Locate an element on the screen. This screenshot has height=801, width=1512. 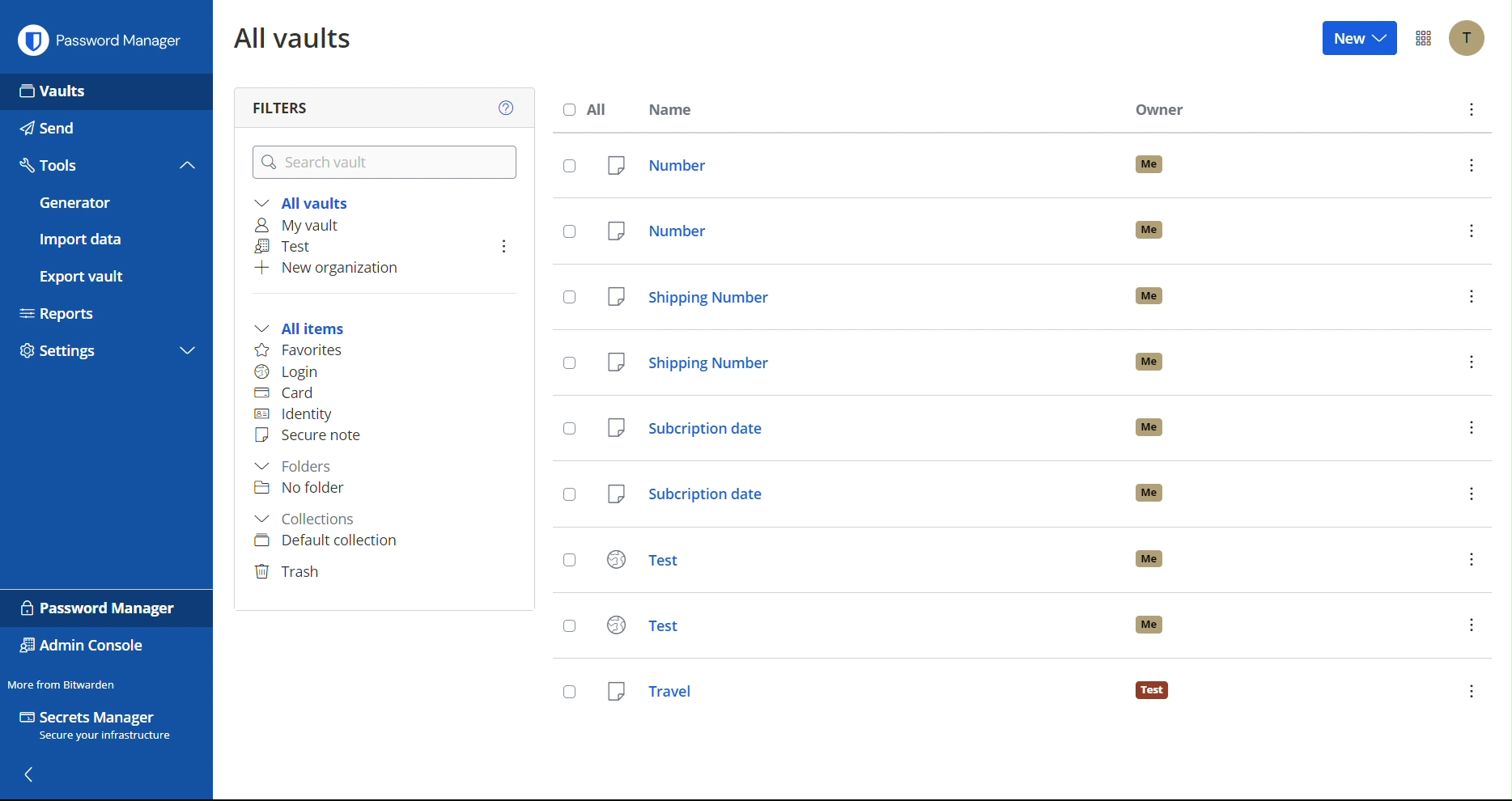
All vaults is located at coordinates (310, 201).